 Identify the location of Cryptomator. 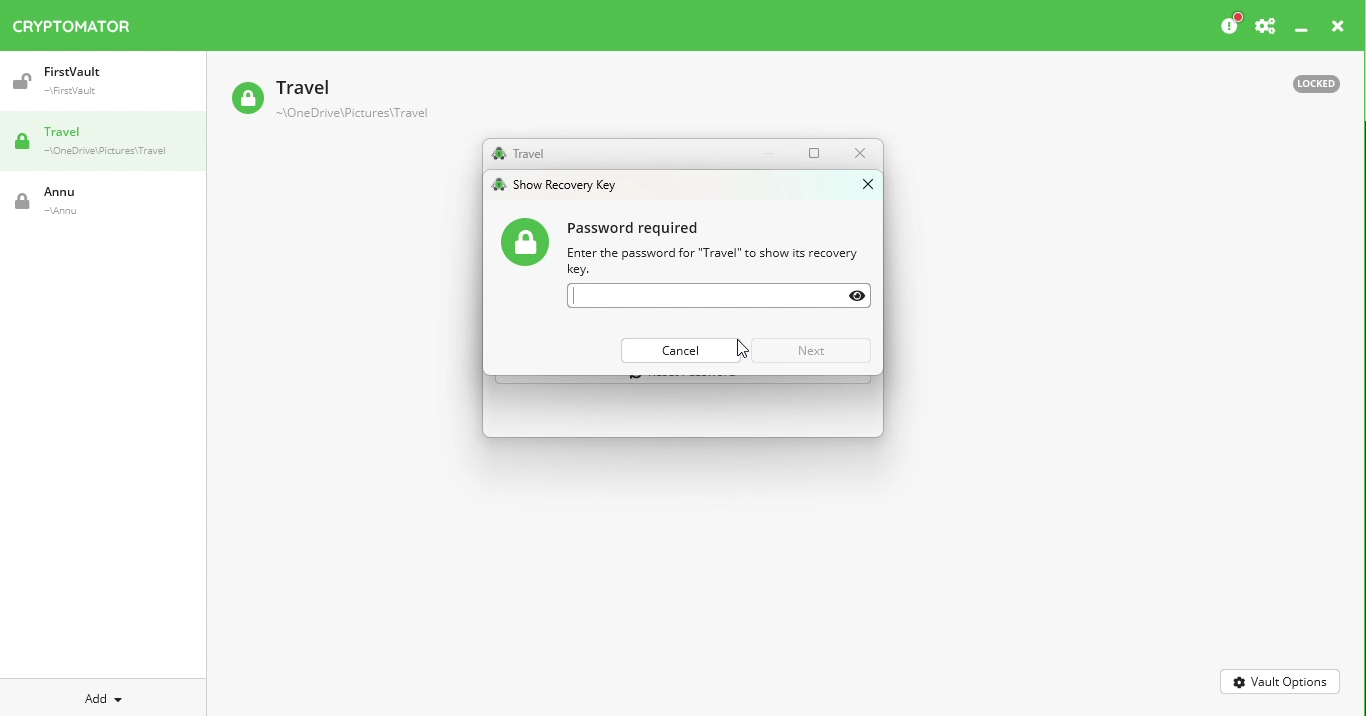
(72, 22).